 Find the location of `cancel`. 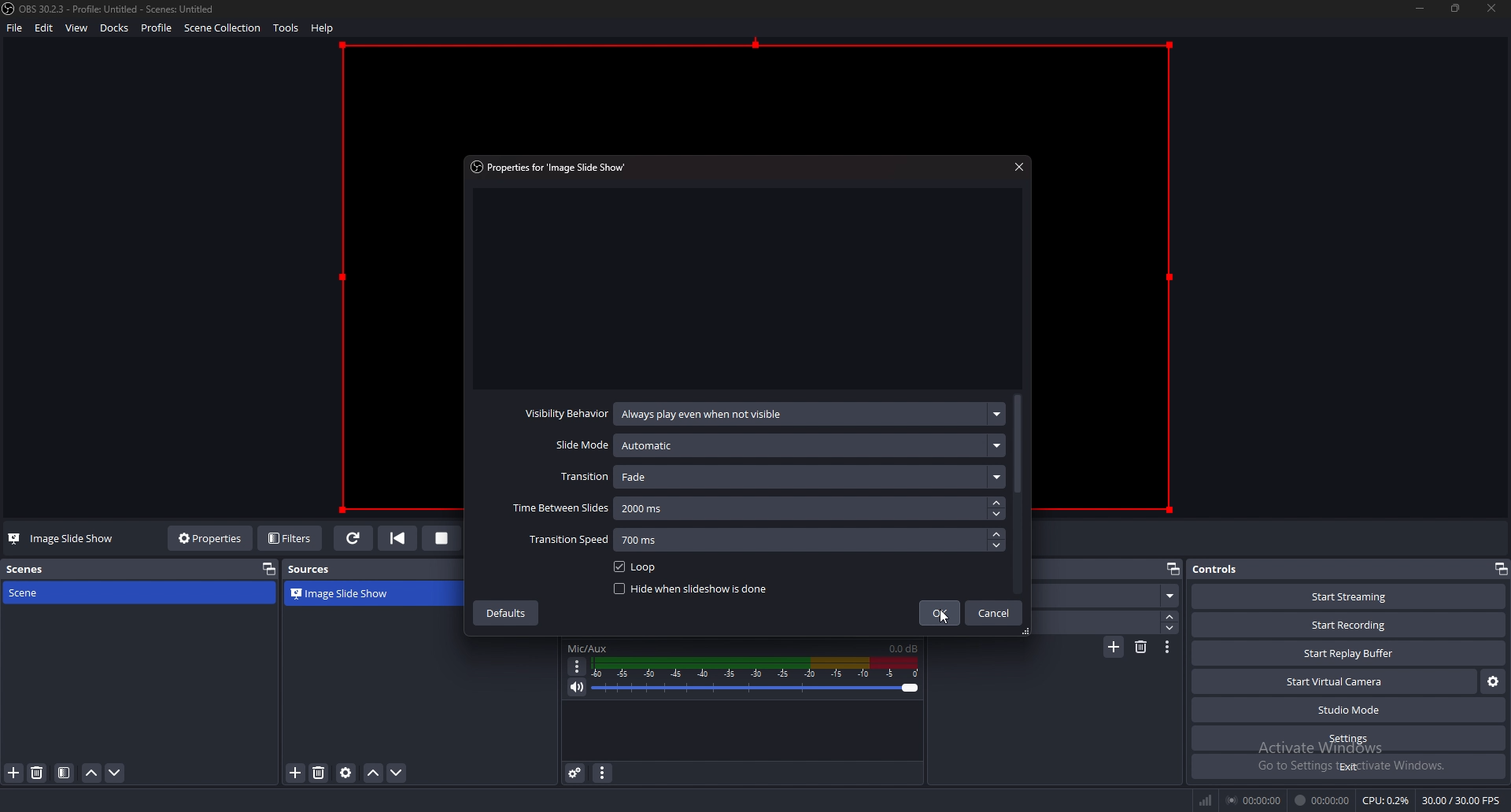

cancel is located at coordinates (992, 613).